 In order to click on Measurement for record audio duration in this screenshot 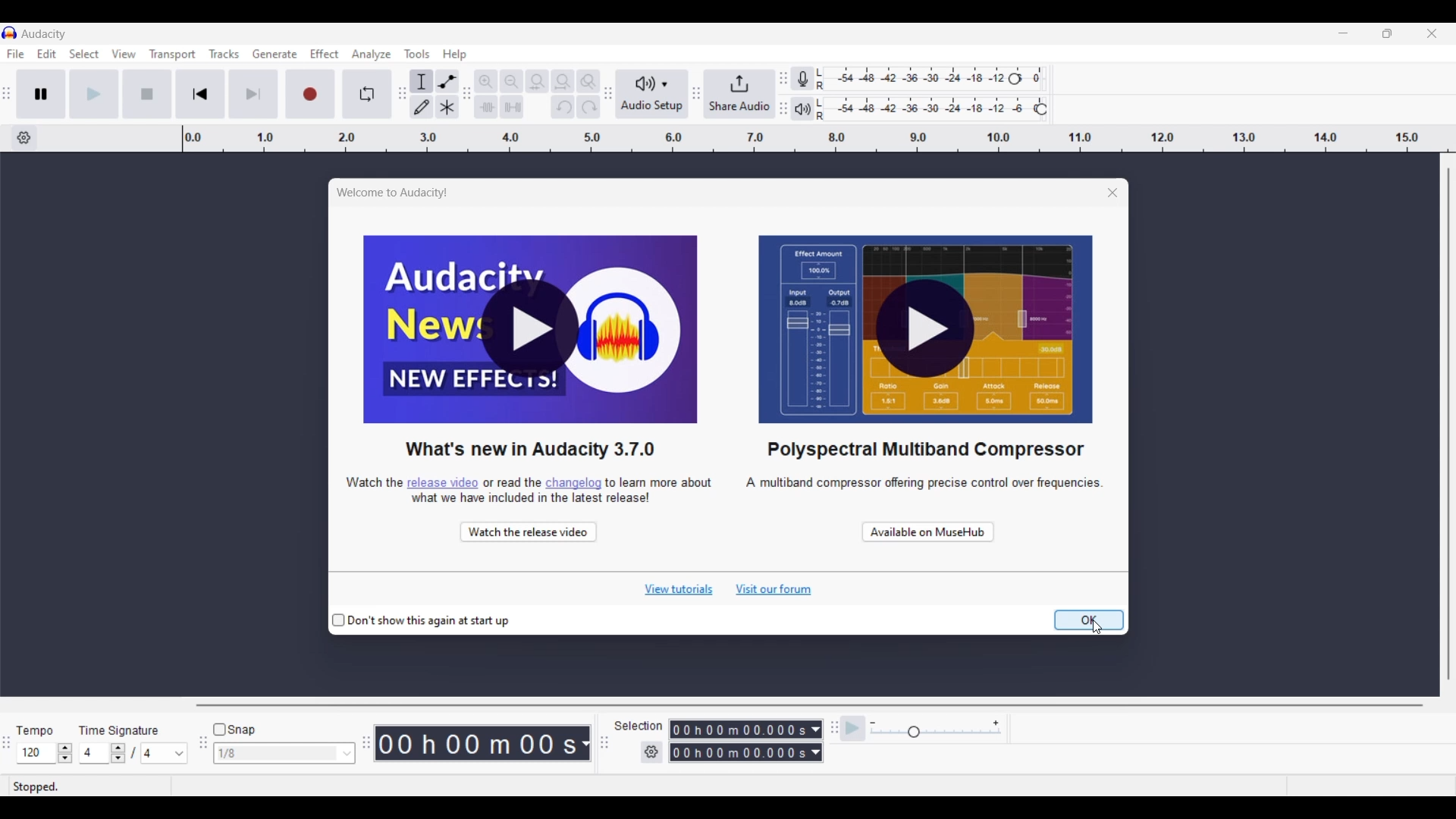, I will do `click(585, 744)`.